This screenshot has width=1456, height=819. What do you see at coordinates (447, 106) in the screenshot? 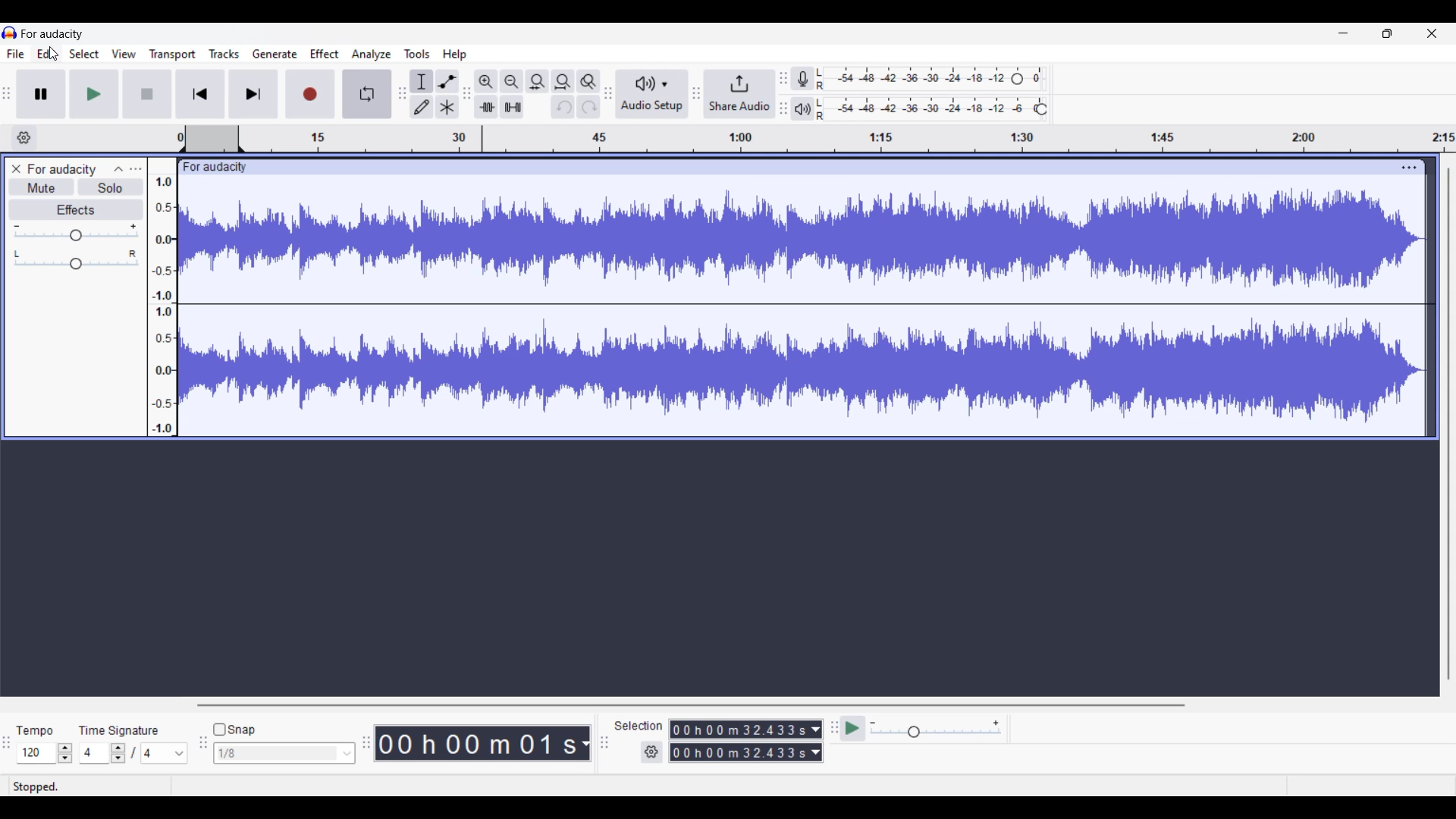
I see `Multi-tool` at bounding box center [447, 106].